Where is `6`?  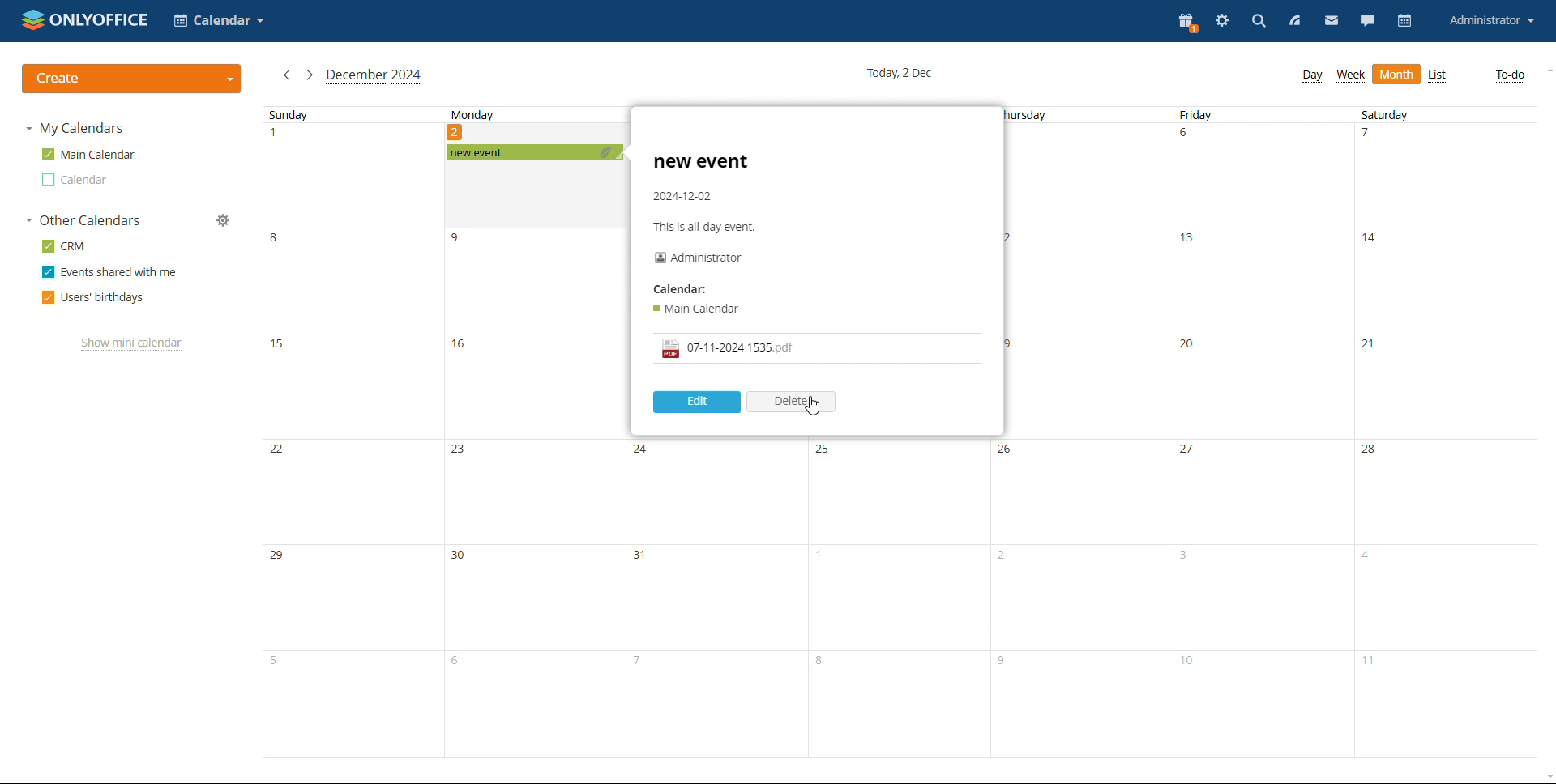 6 is located at coordinates (1188, 137).